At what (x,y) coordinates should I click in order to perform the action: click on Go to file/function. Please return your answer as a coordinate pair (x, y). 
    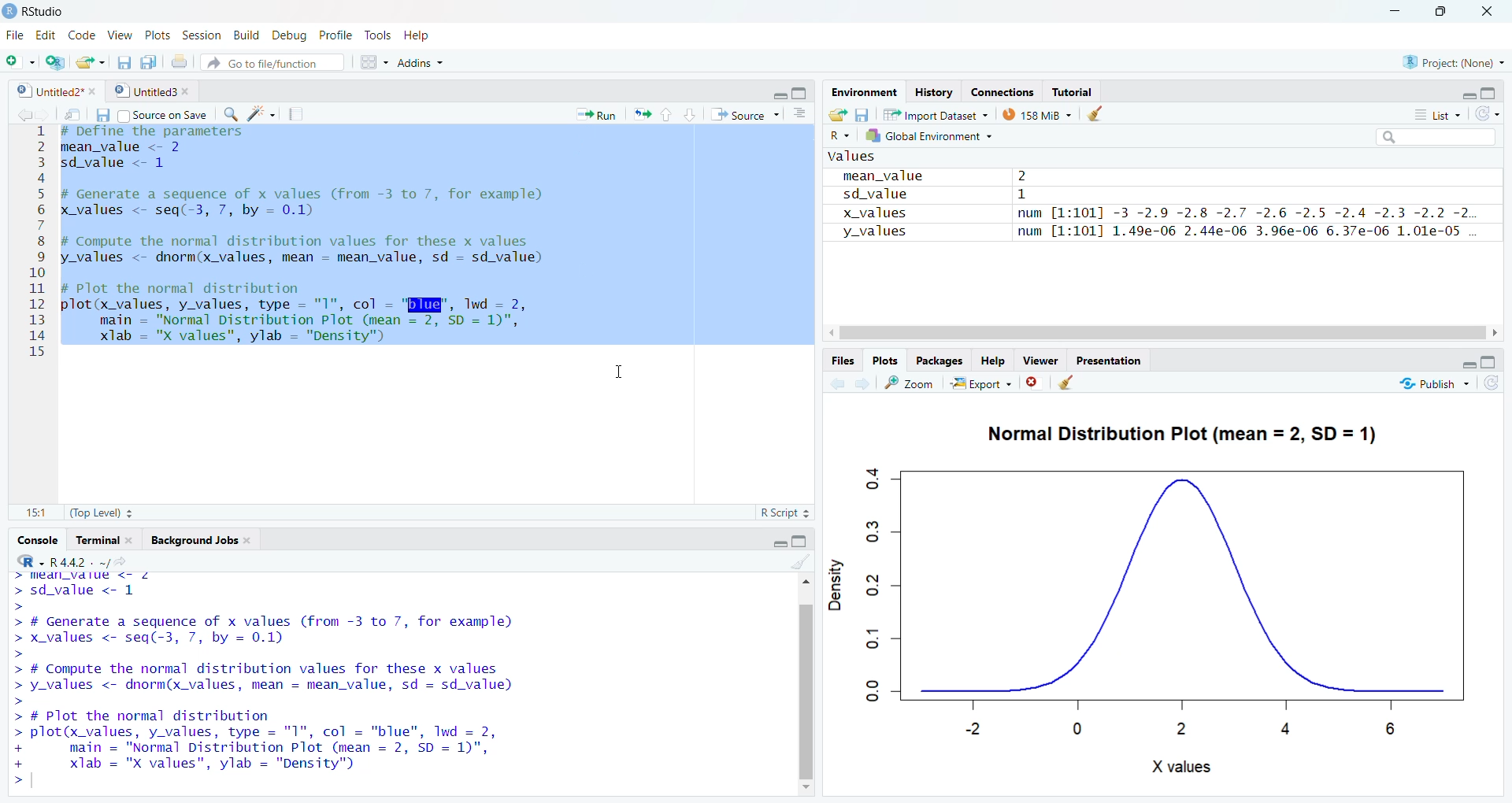
    Looking at the image, I should click on (276, 62).